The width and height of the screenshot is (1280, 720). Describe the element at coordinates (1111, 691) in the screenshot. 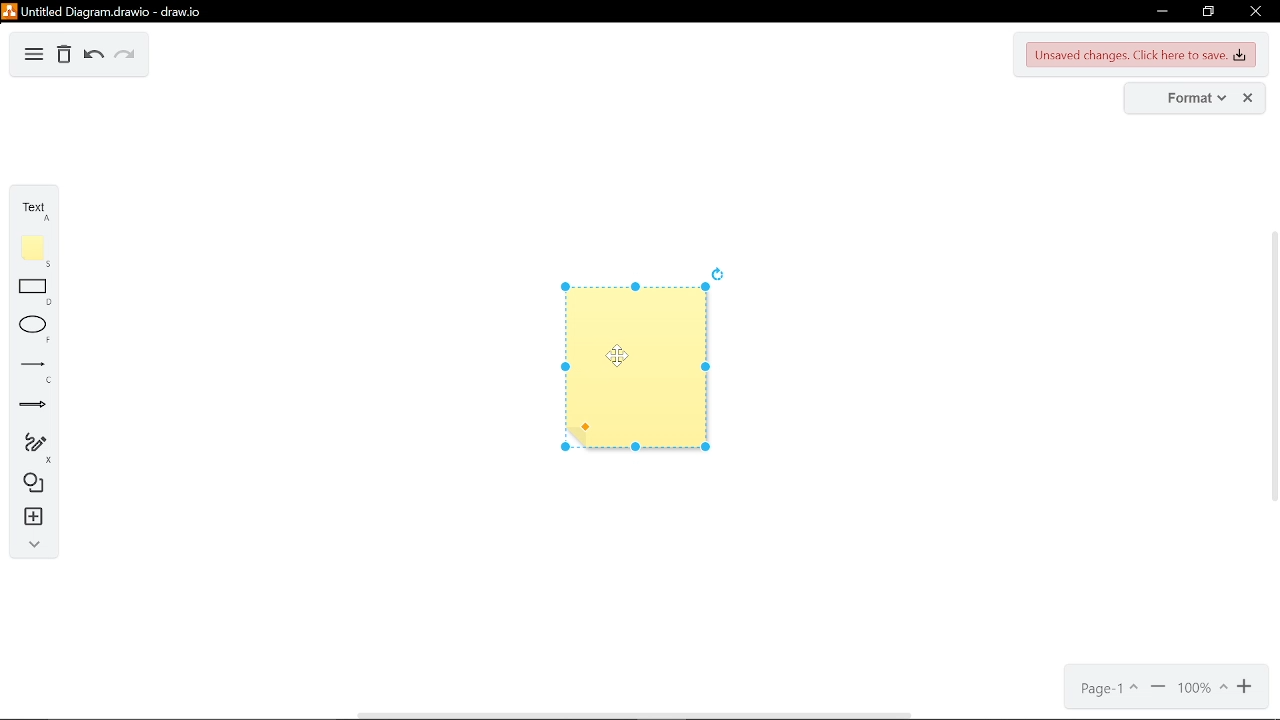

I see `page 1` at that location.